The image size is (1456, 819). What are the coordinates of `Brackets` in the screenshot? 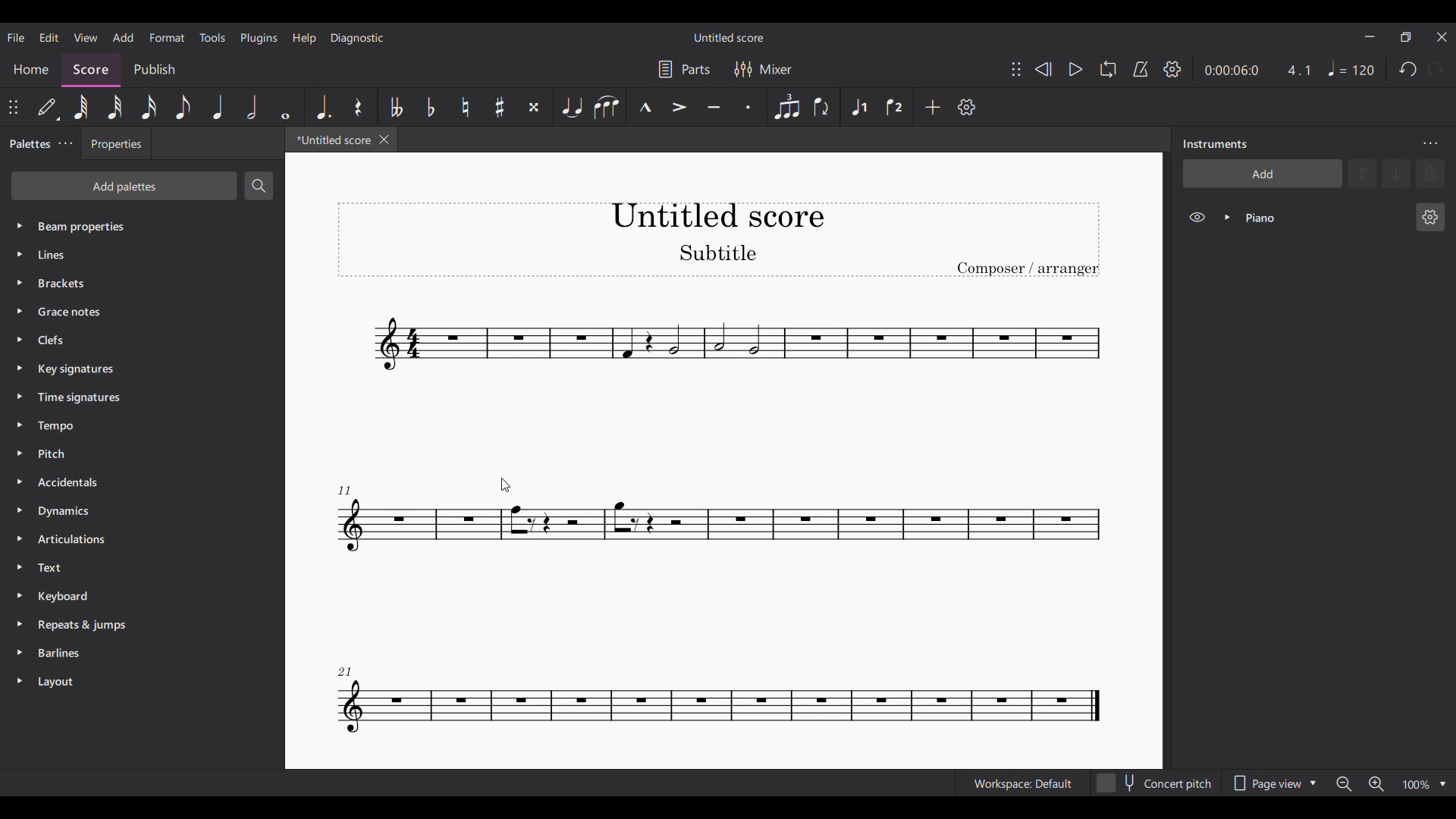 It's located at (136, 280).